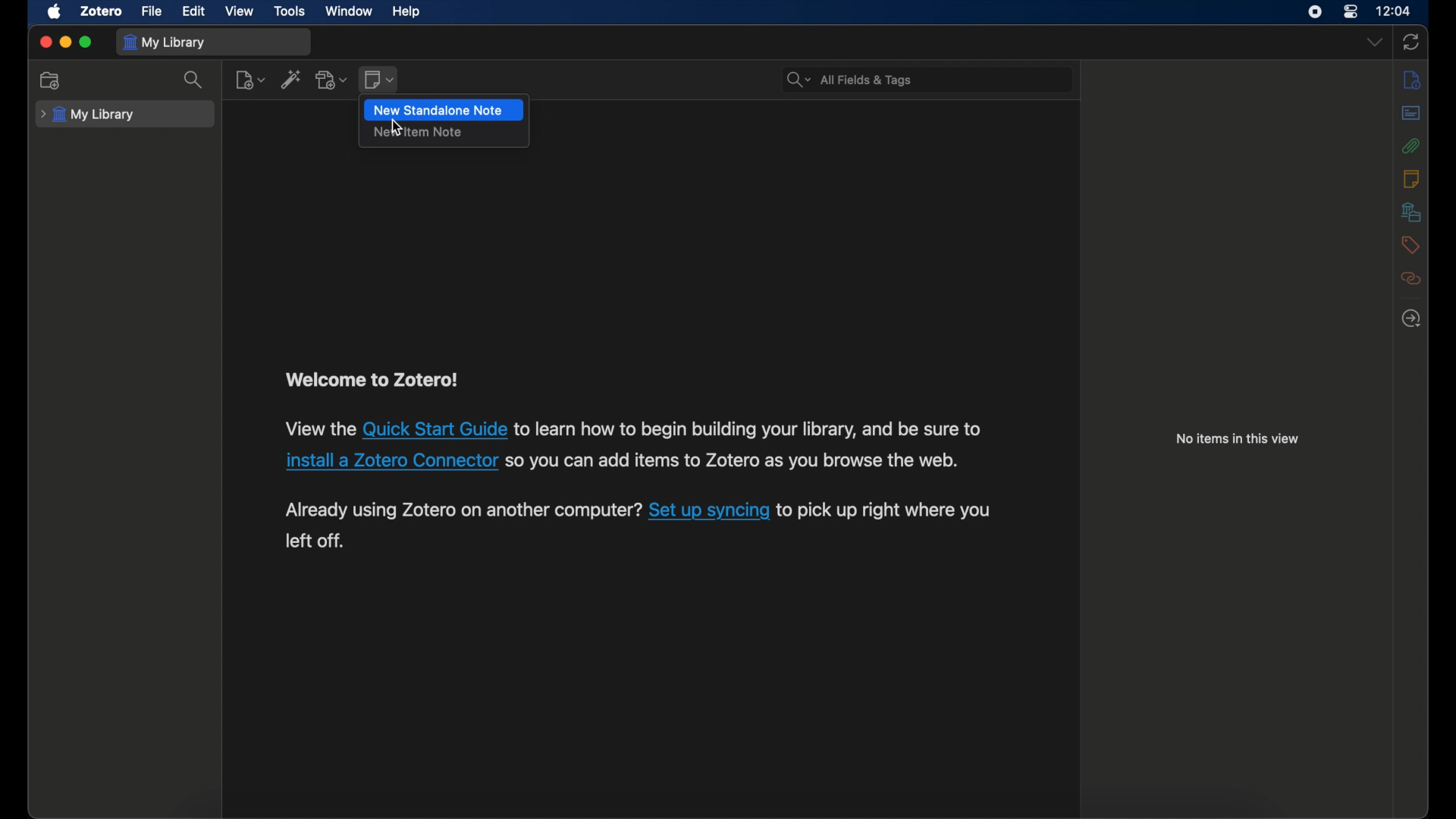 The height and width of the screenshot is (819, 1456). I want to click on control center, so click(1350, 11).